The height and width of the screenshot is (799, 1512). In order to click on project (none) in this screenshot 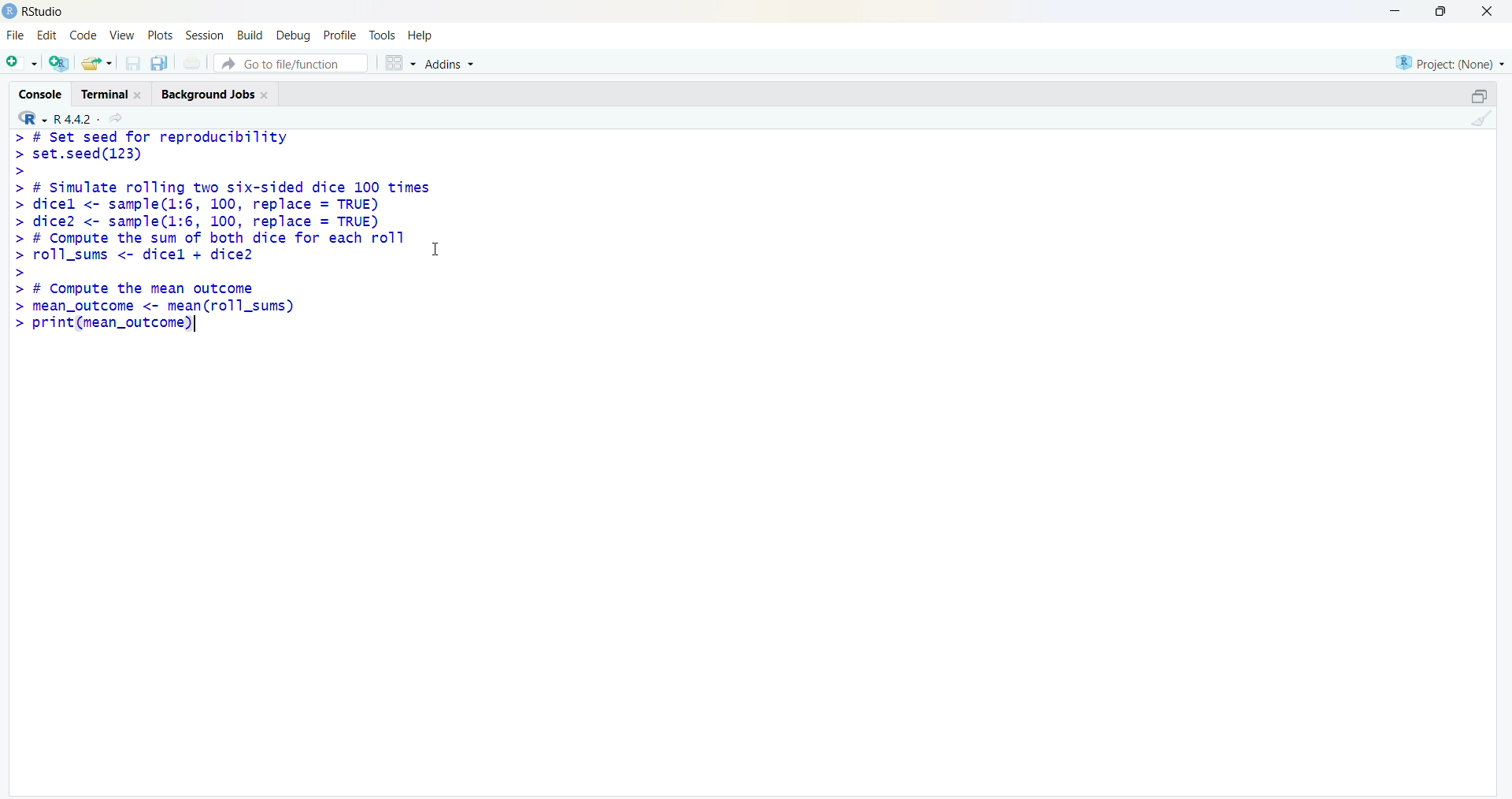, I will do `click(1450, 65)`.